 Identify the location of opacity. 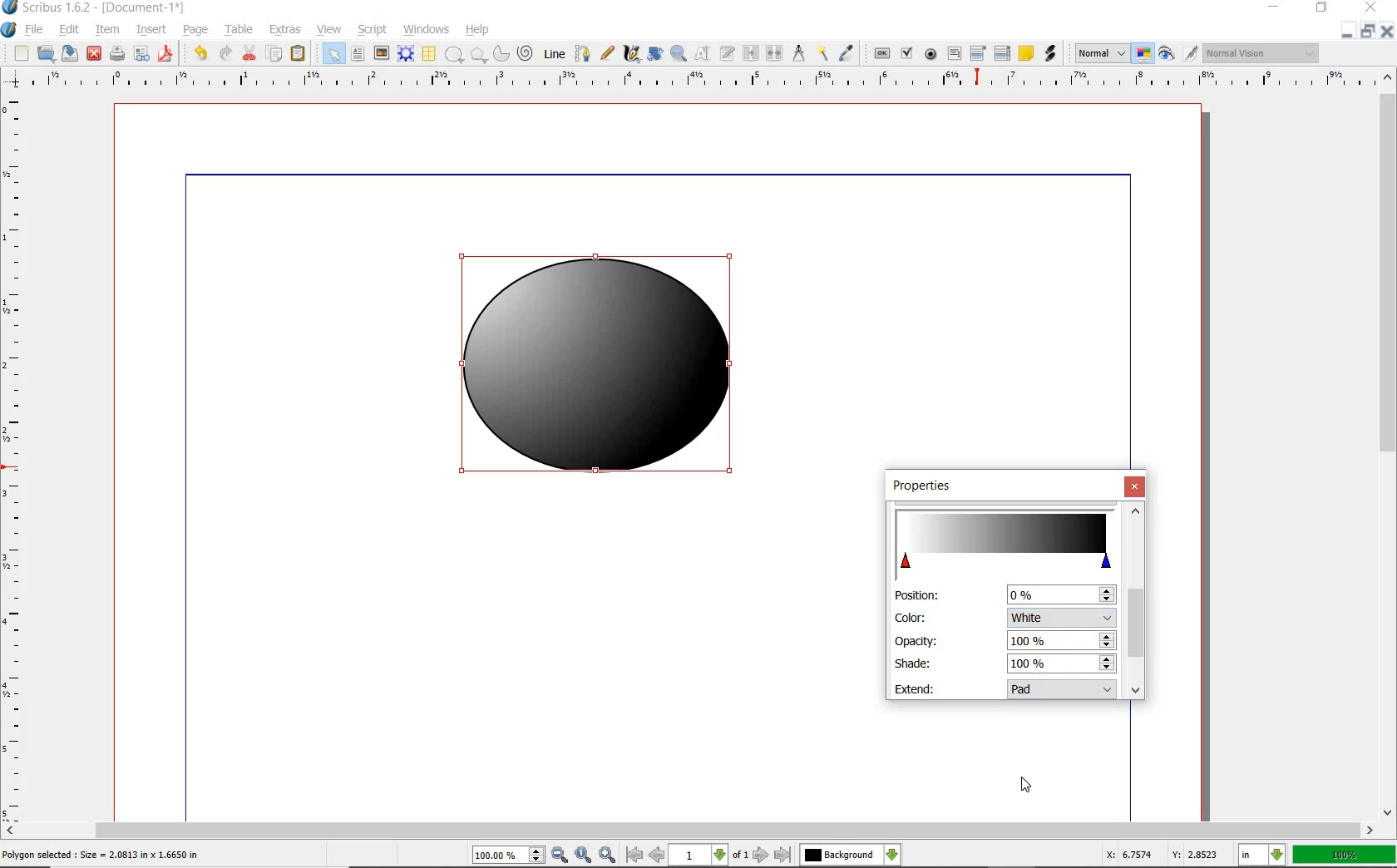
(1062, 640).